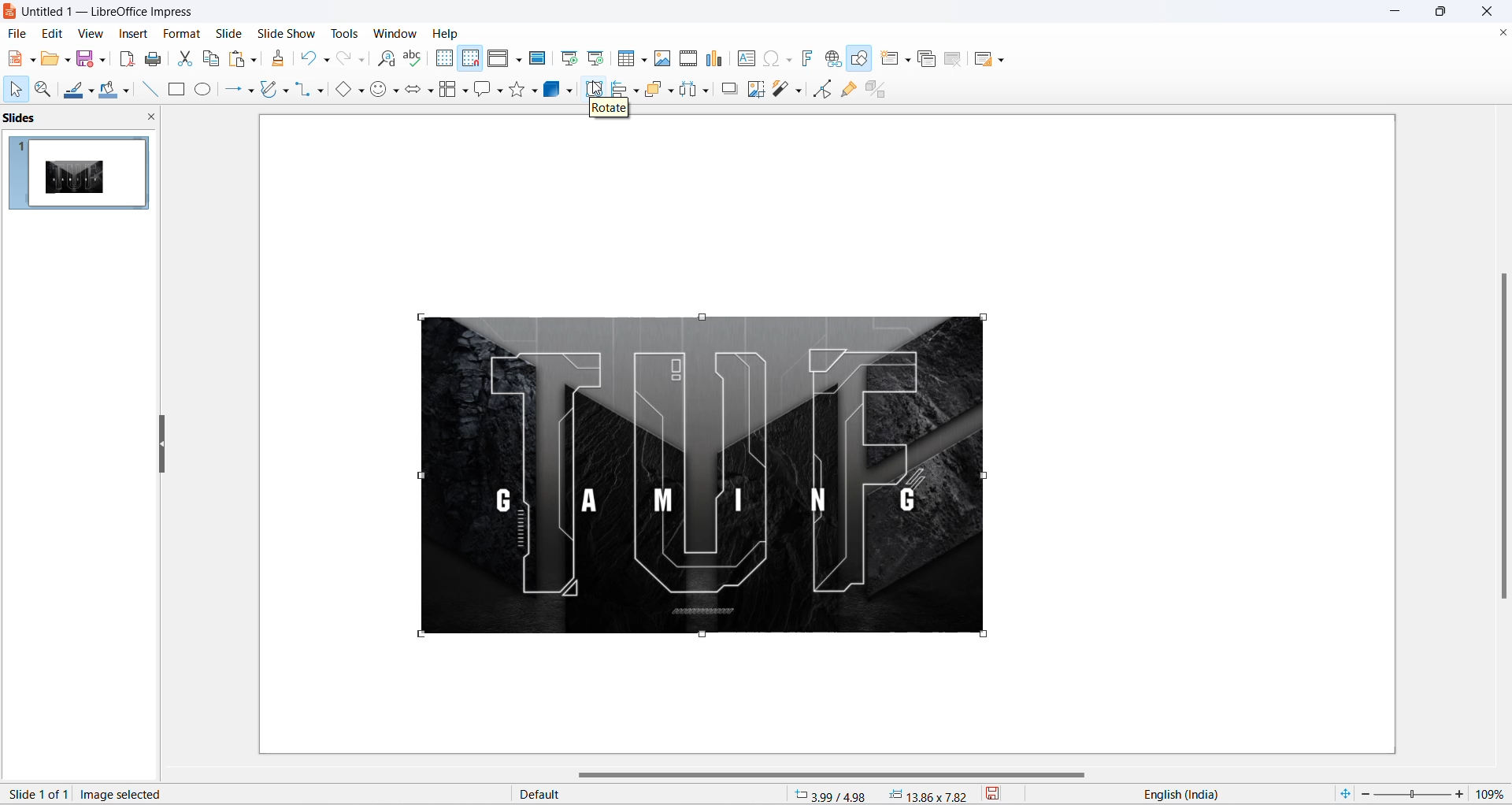  What do you see at coordinates (1447, 14) in the screenshot?
I see `maximize` at bounding box center [1447, 14].